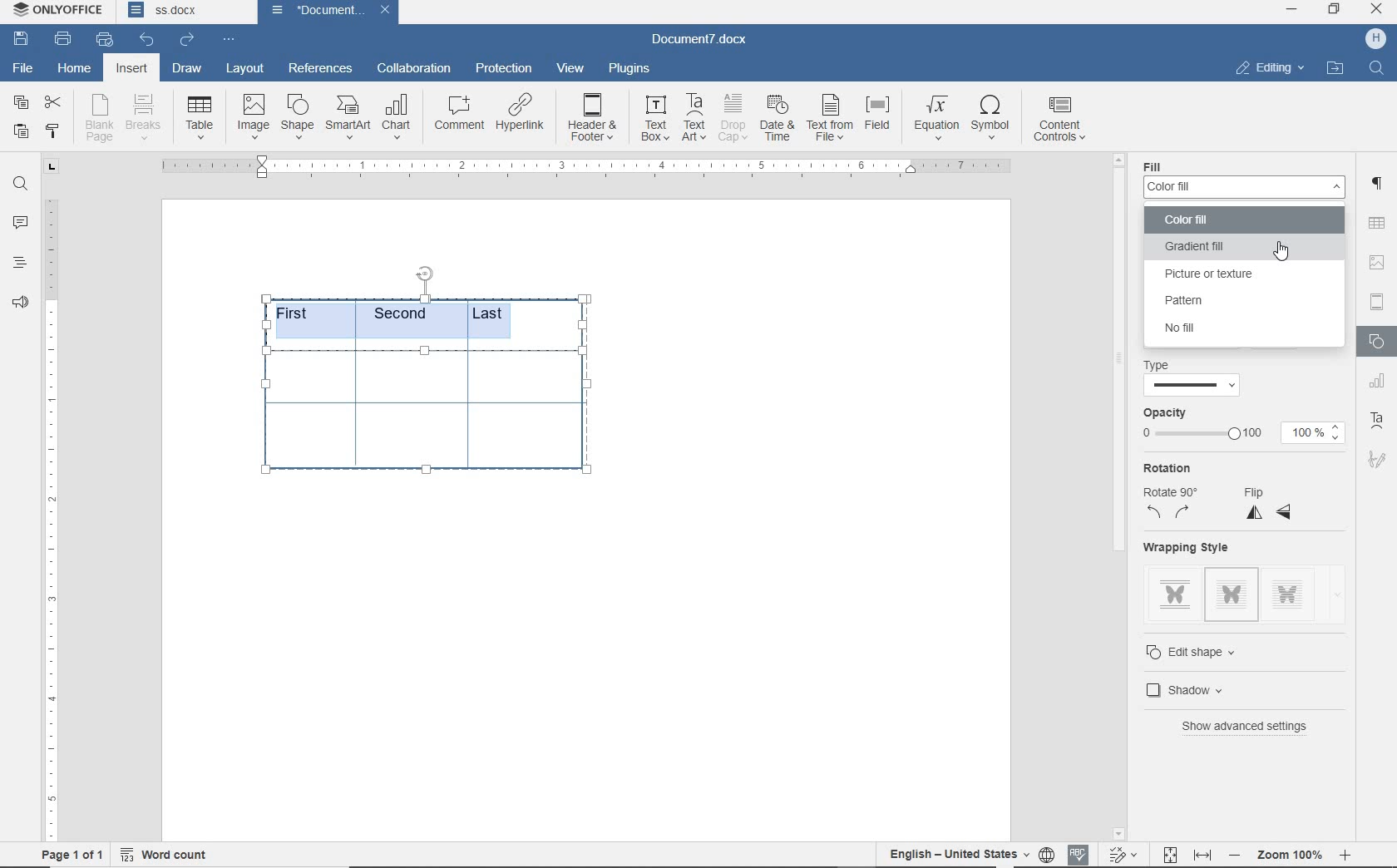  What do you see at coordinates (937, 119) in the screenshot?
I see `equation` at bounding box center [937, 119].